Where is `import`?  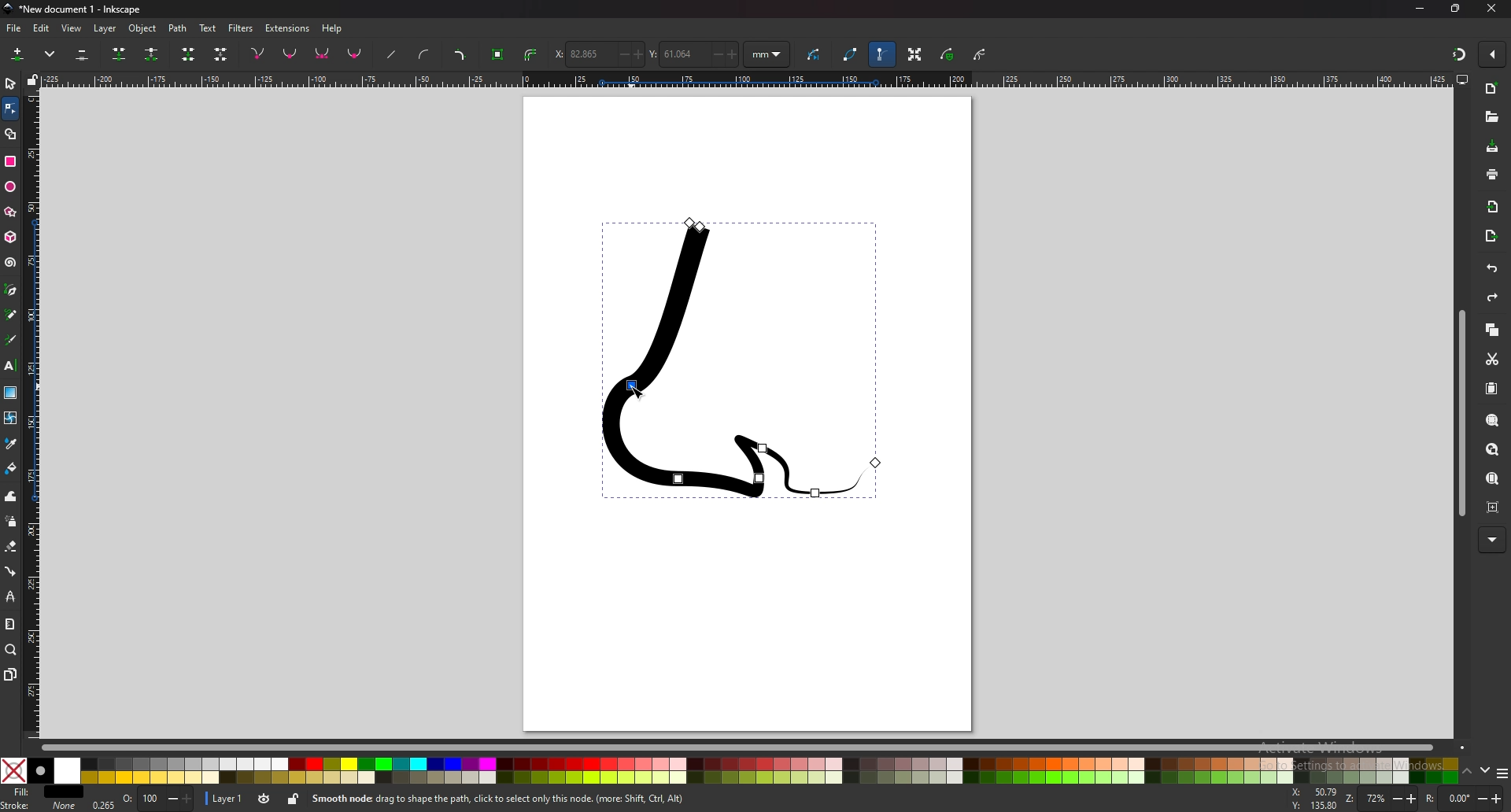 import is located at coordinates (1493, 206).